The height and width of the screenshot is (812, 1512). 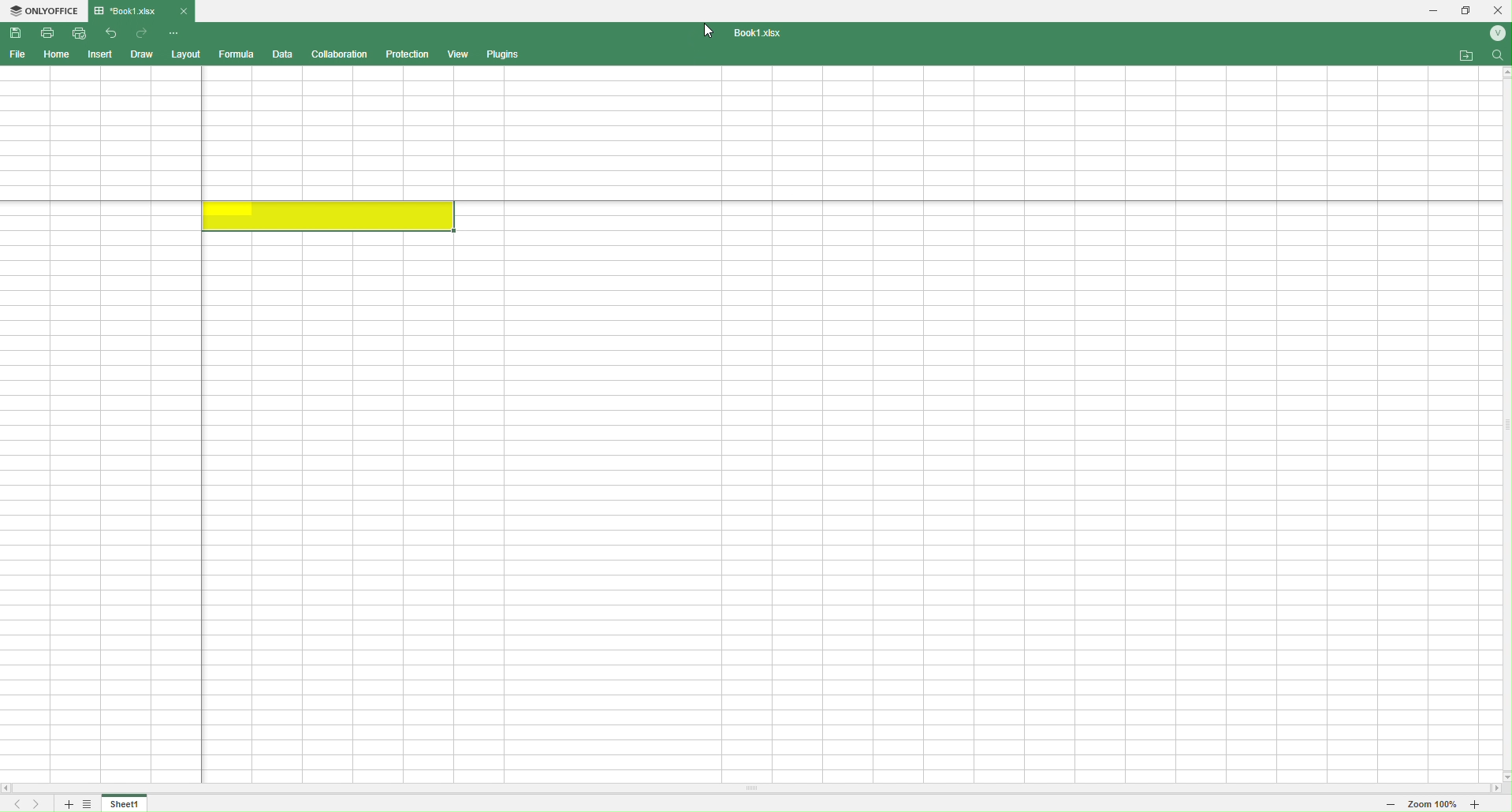 I want to click on Quick Access Customize Toolbar, so click(x=175, y=35).